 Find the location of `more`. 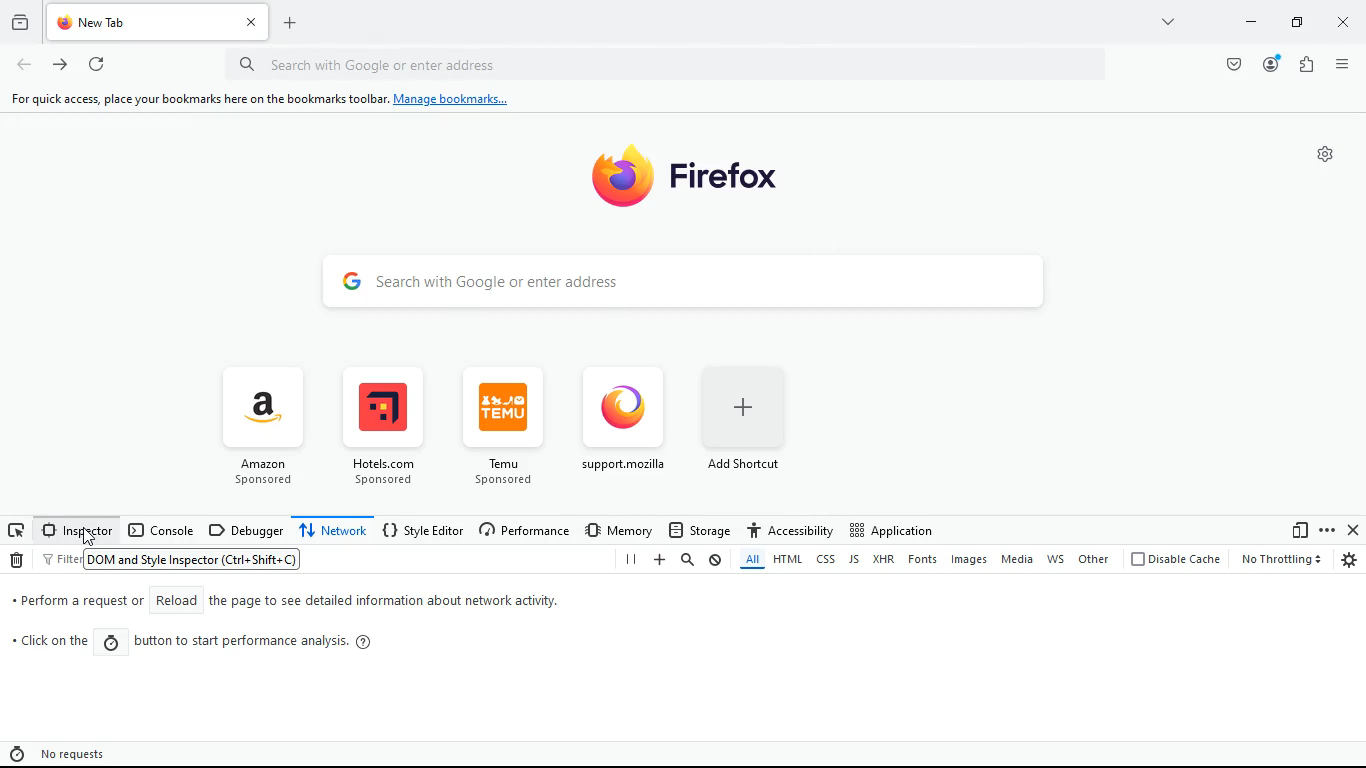

more is located at coordinates (1327, 530).